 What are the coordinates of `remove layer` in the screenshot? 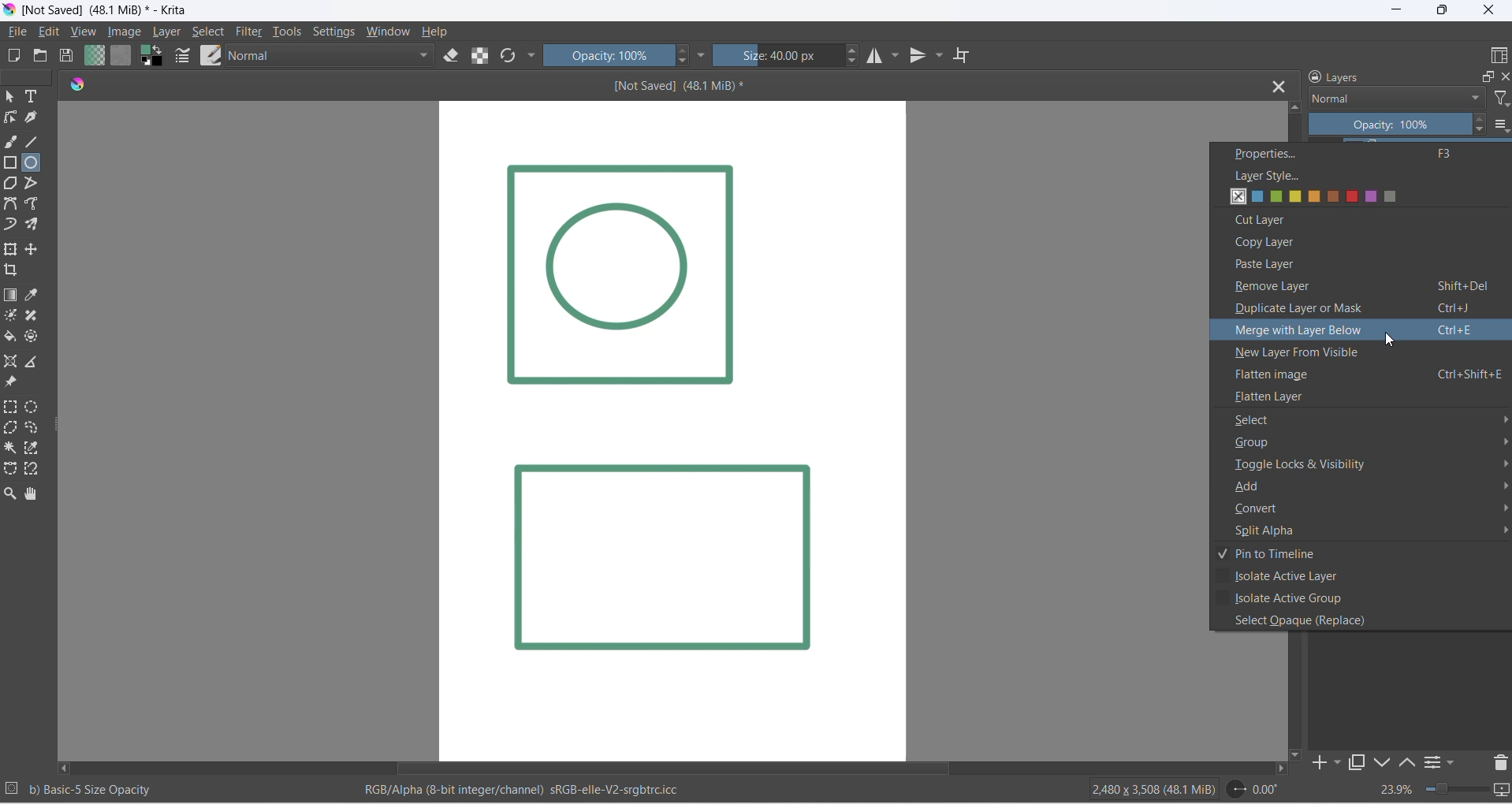 It's located at (1362, 289).